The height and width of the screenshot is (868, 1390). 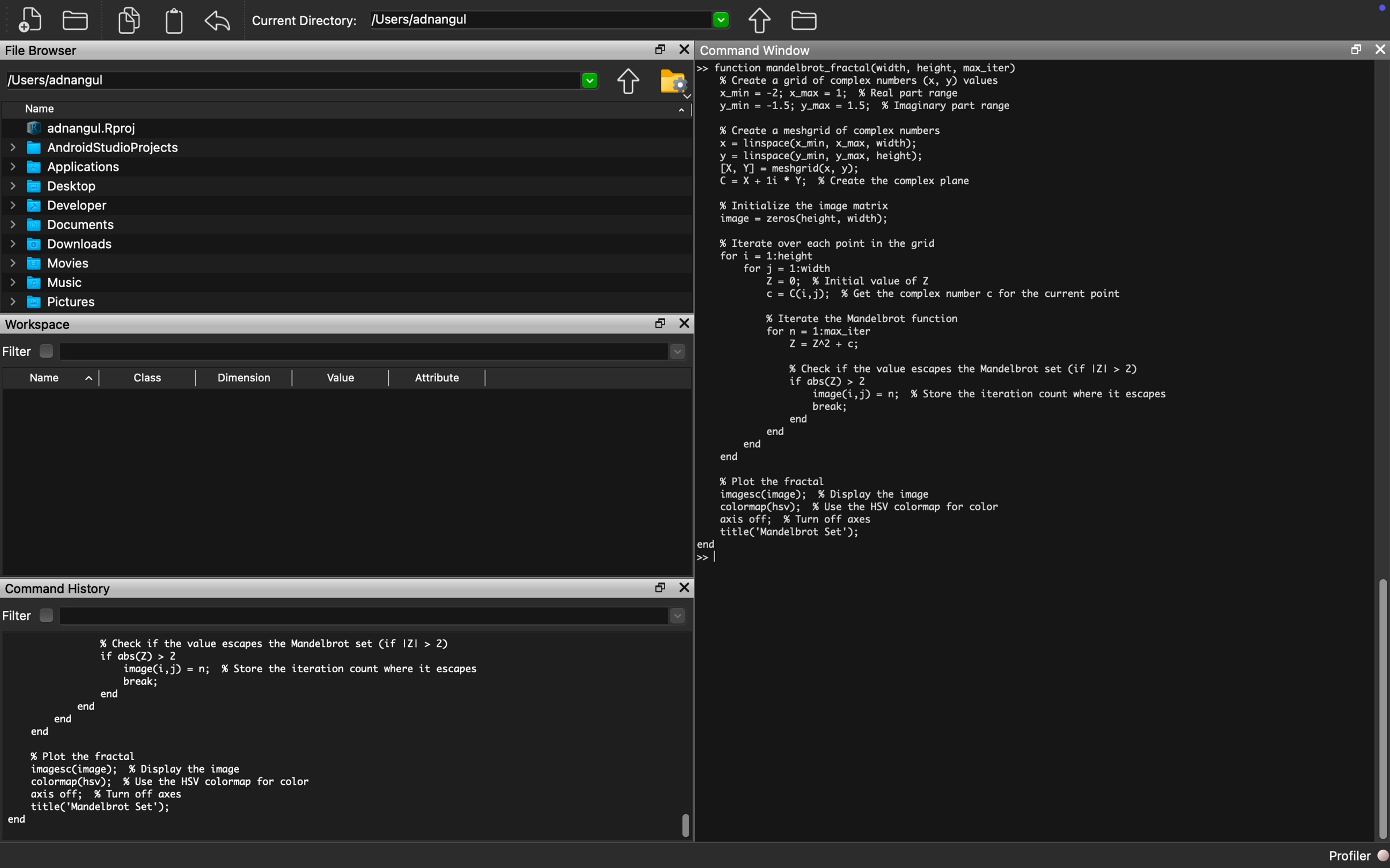 What do you see at coordinates (245, 730) in the screenshot?
I see `% Check if the value escapes the Mandelbrot set (if |ZI| > 2)
if abs(Z) > 2
image(i,j) = n; % Store the iteration count where it escapes
break;
end
end
end
end
% Plot the fractal
imagesc(image); % Display the image
colormapChsv); % Use the HSV colormap for color
axis off; % Turn off axes
title('Mandelbrot Set');
end` at bounding box center [245, 730].